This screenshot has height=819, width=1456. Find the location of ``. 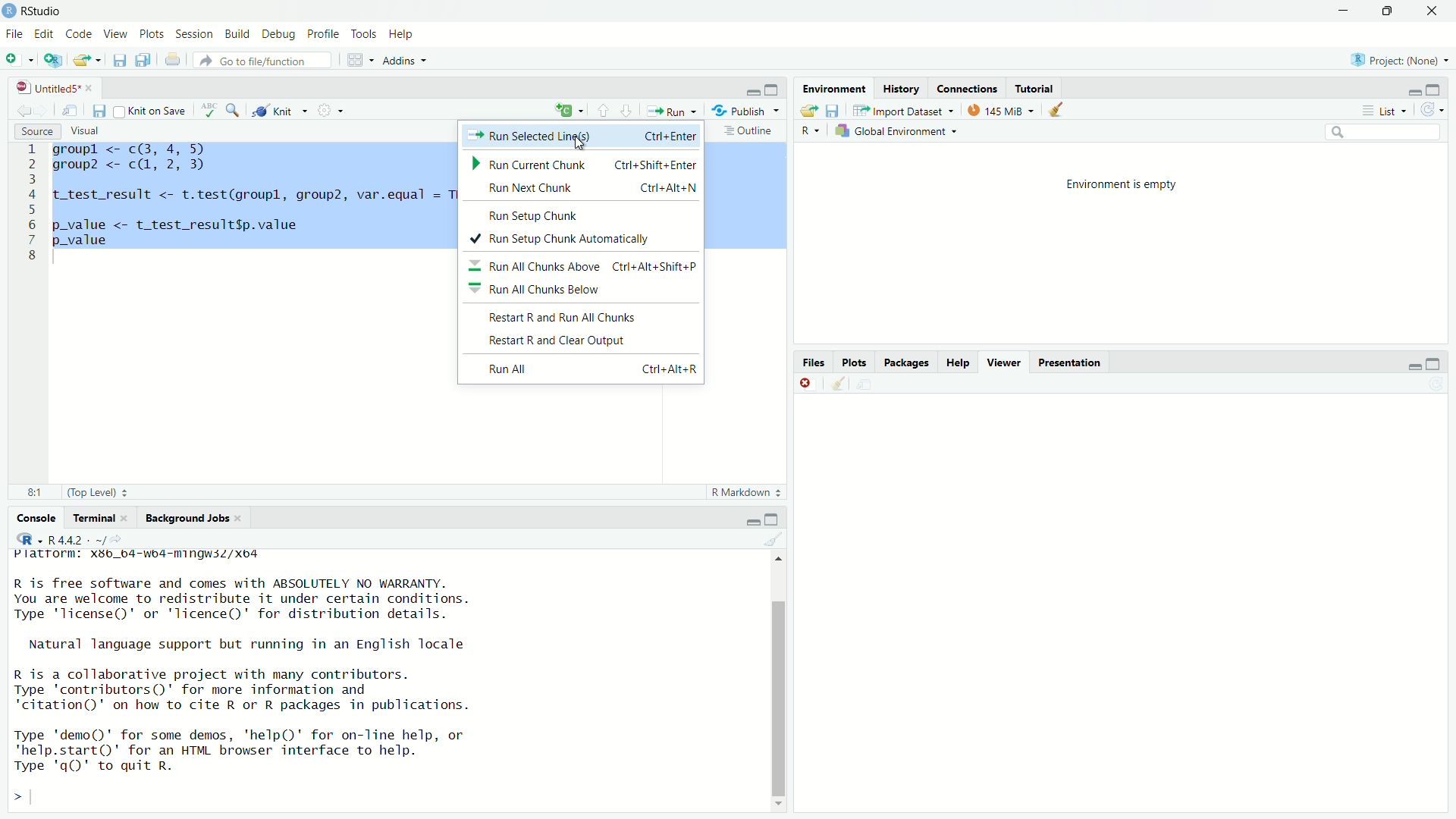

 is located at coordinates (811, 131).